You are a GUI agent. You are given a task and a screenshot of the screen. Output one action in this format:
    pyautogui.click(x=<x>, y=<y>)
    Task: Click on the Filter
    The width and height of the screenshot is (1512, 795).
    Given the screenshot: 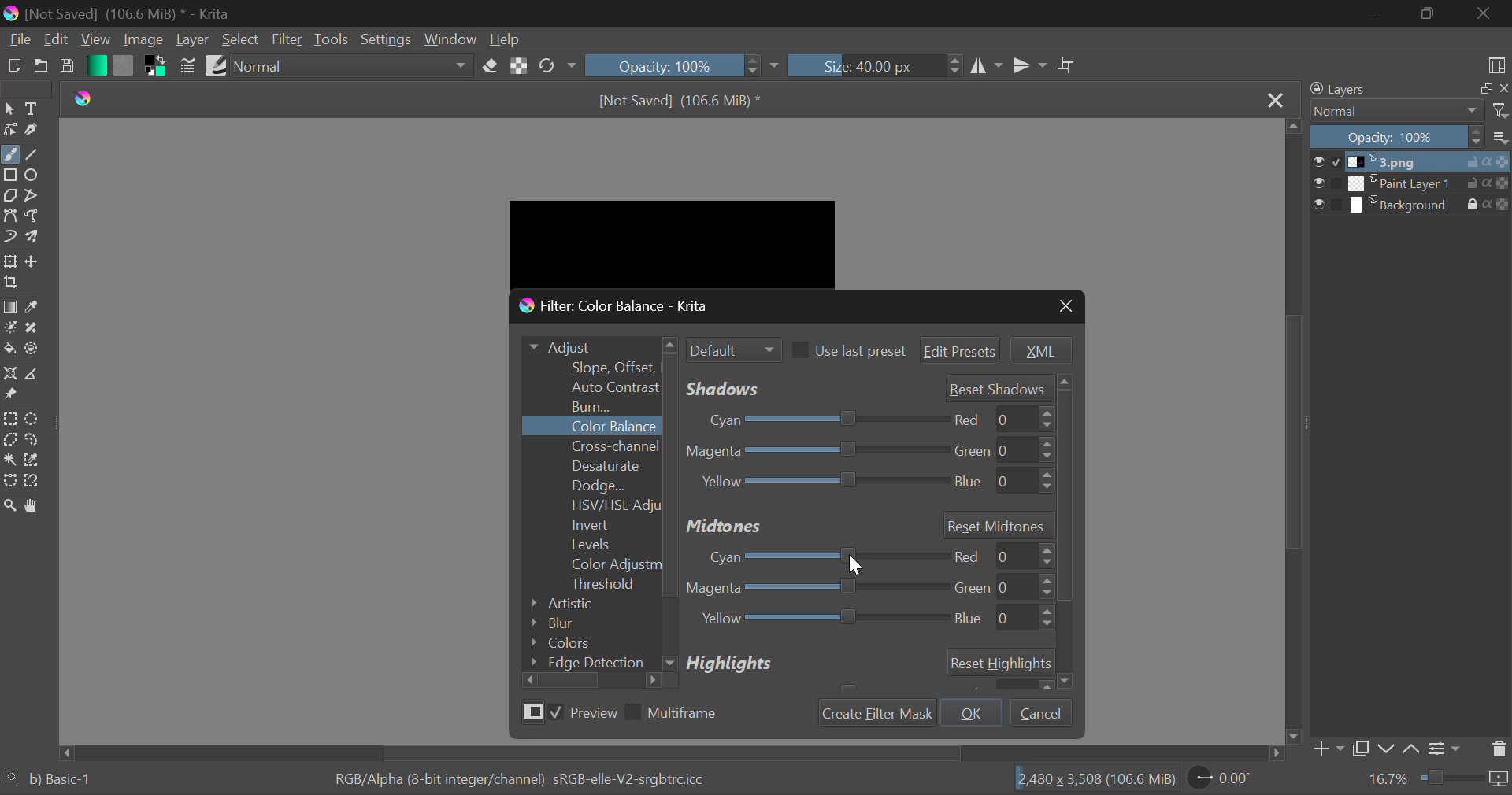 What is the action you would take?
    pyautogui.click(x=287, y=40)
    